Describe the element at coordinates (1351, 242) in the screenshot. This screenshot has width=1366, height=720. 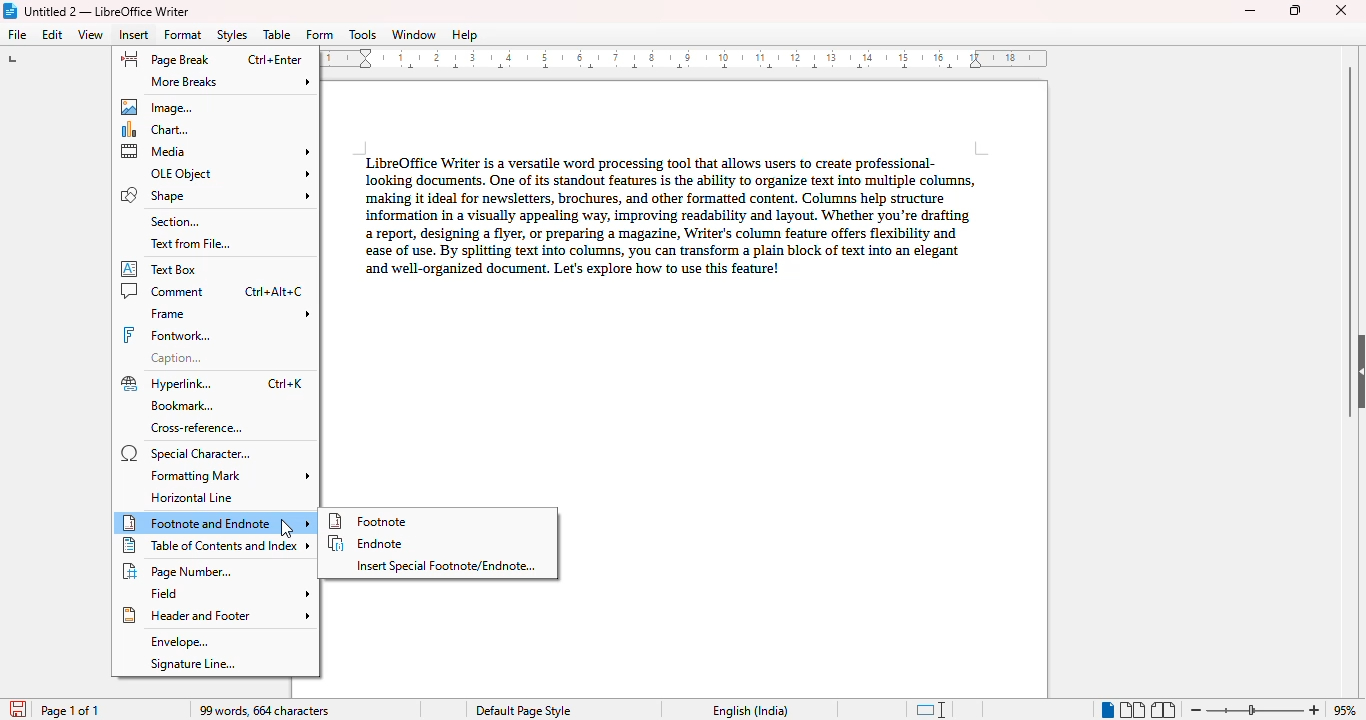
I see `vertical scroll bar` at that location.